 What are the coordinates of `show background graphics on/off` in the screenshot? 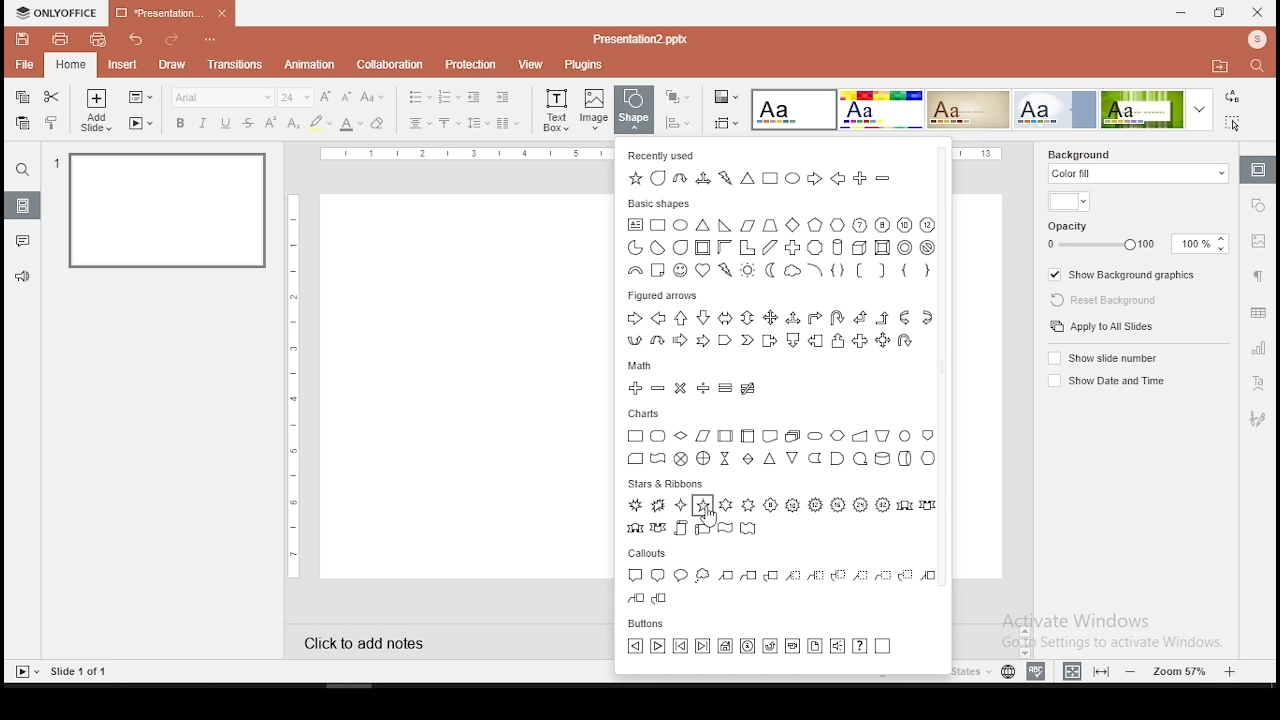 It's located at (1125, 273).